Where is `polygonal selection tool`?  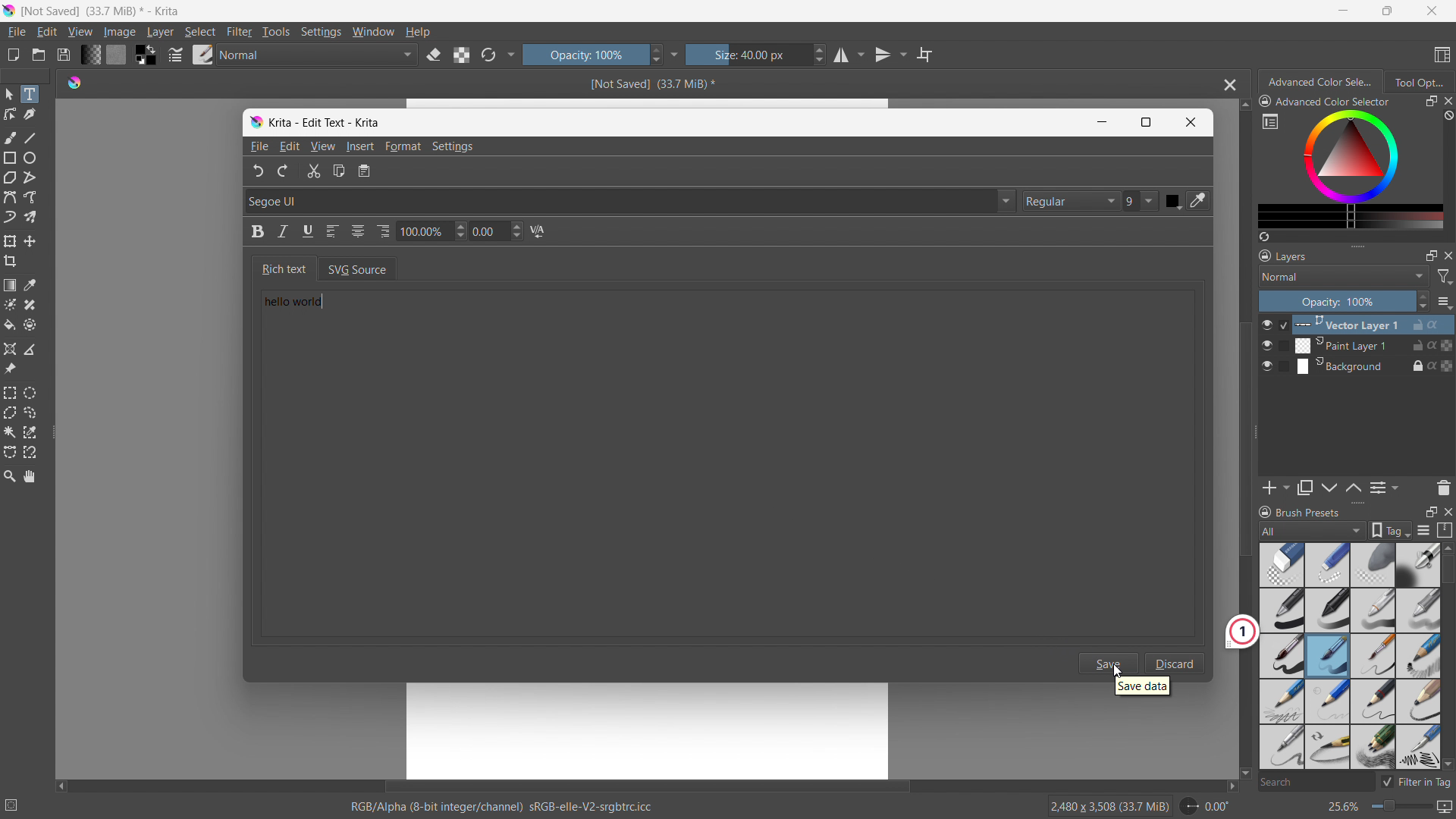 polygonal selection tool is located at coordinates (10, 413).